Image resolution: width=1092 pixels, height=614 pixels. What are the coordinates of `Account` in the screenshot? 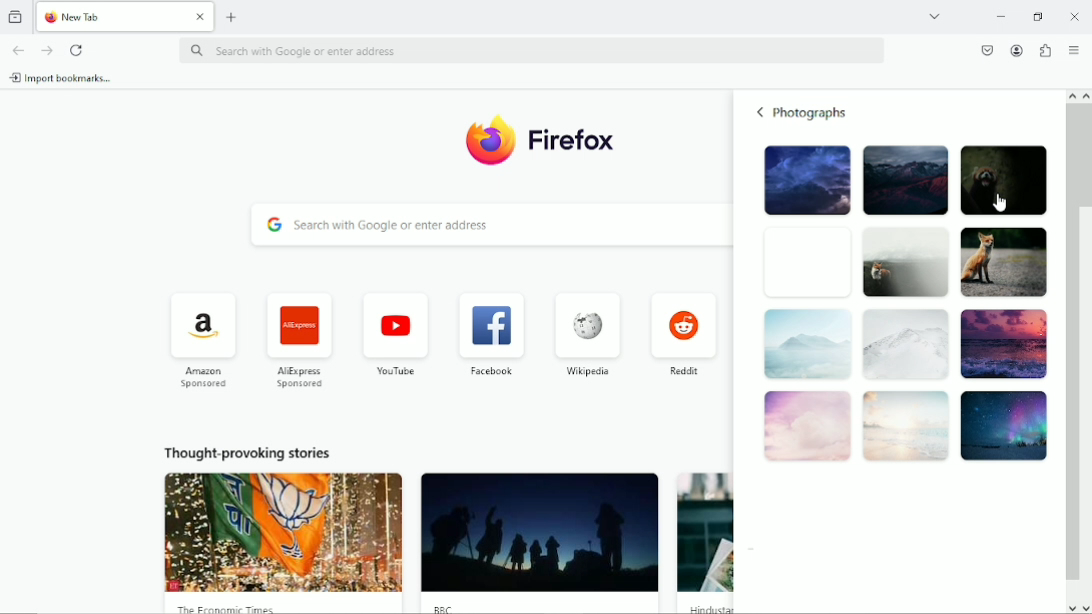 It's located at (1017, 49).